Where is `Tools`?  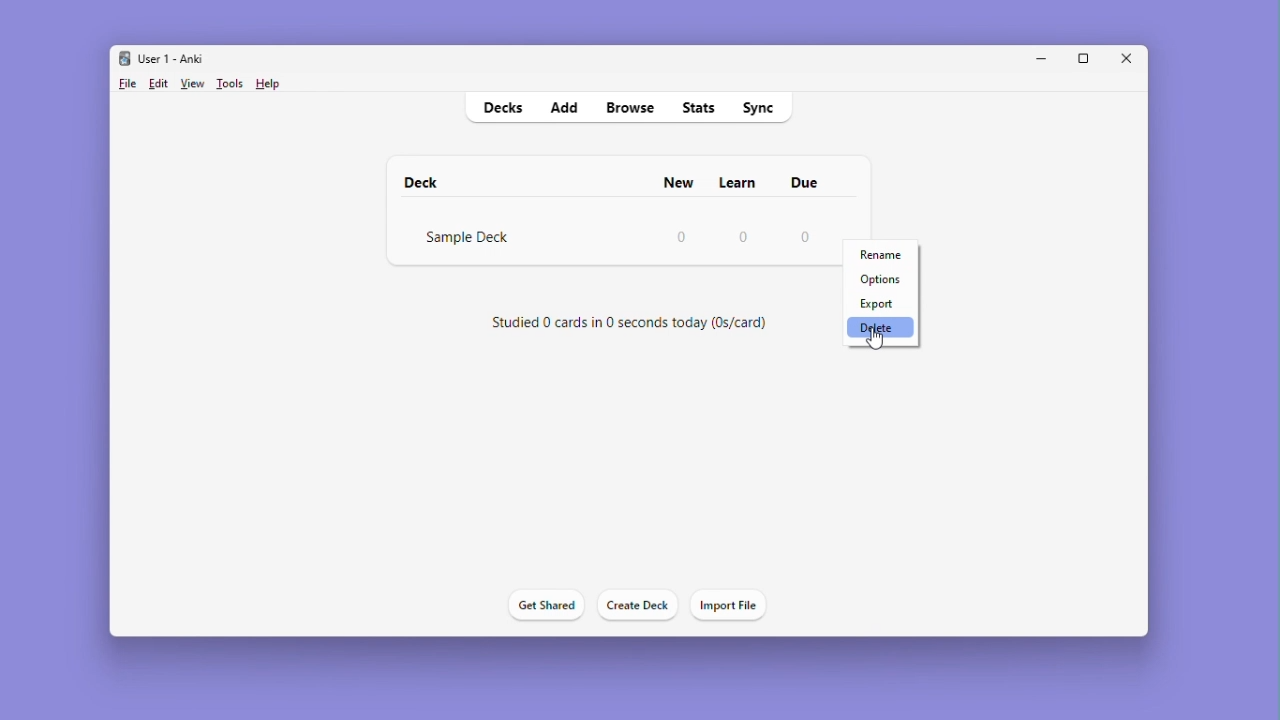 Tools is located at coordinates (229, 83).